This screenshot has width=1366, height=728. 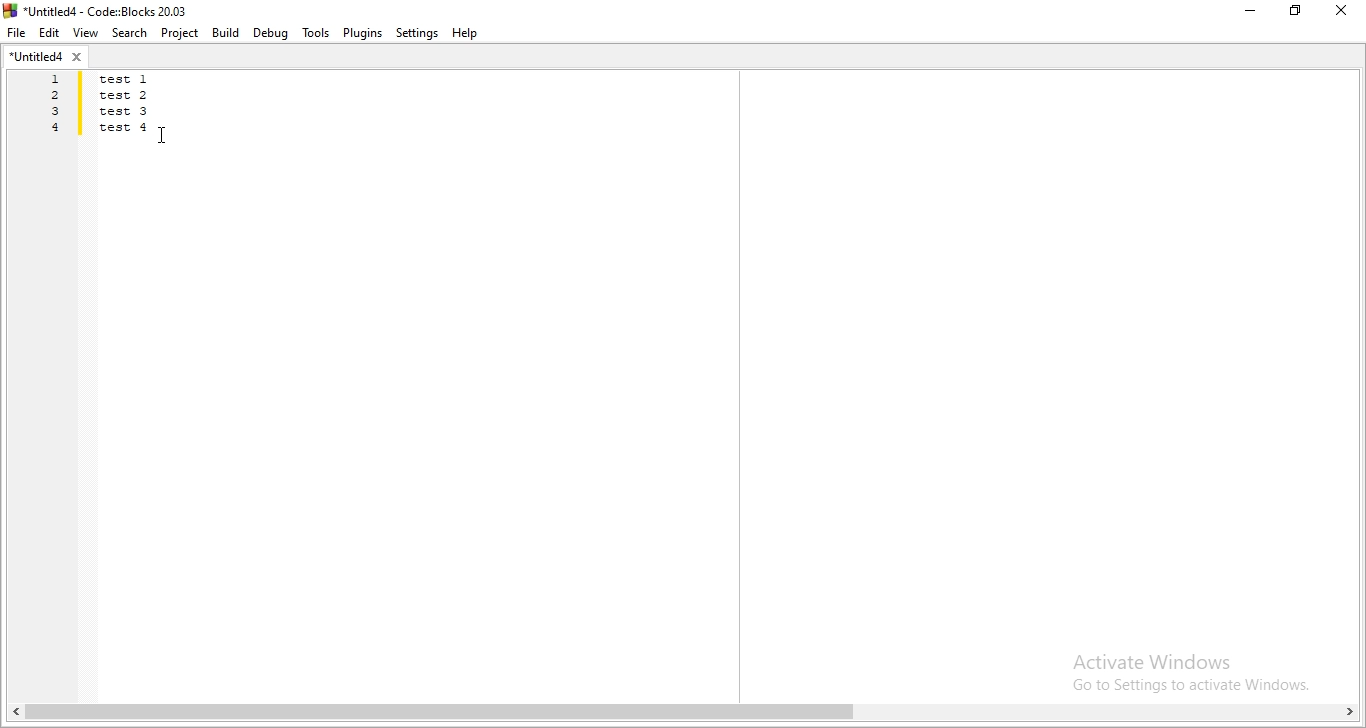 What do you see at coordinates (224, 32) in the screenshot?
I see `Build ` at bounding box center [224, 32].